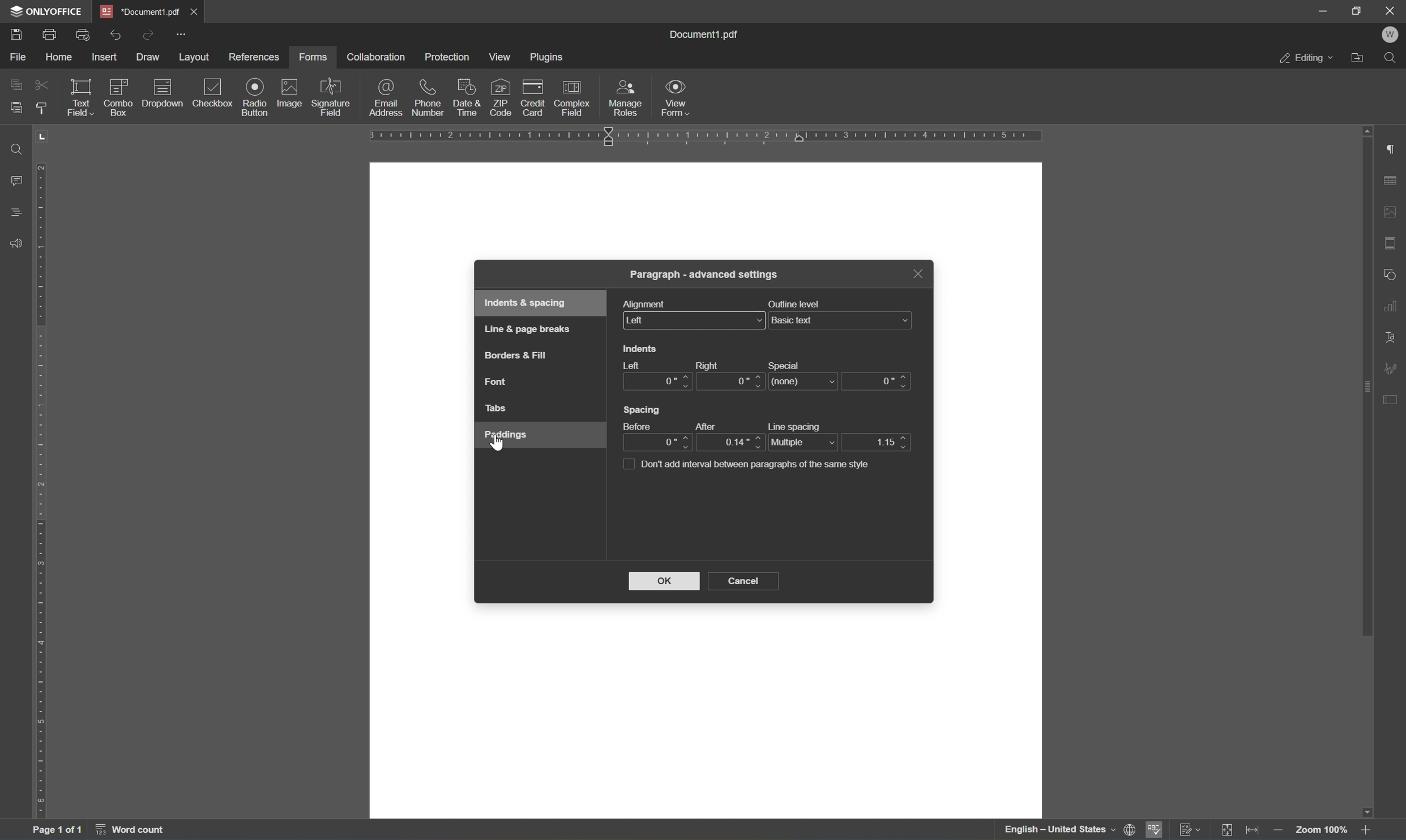 The height and width of the screenshot is (840, 1406). I want to click on layout, so click(194, 57).